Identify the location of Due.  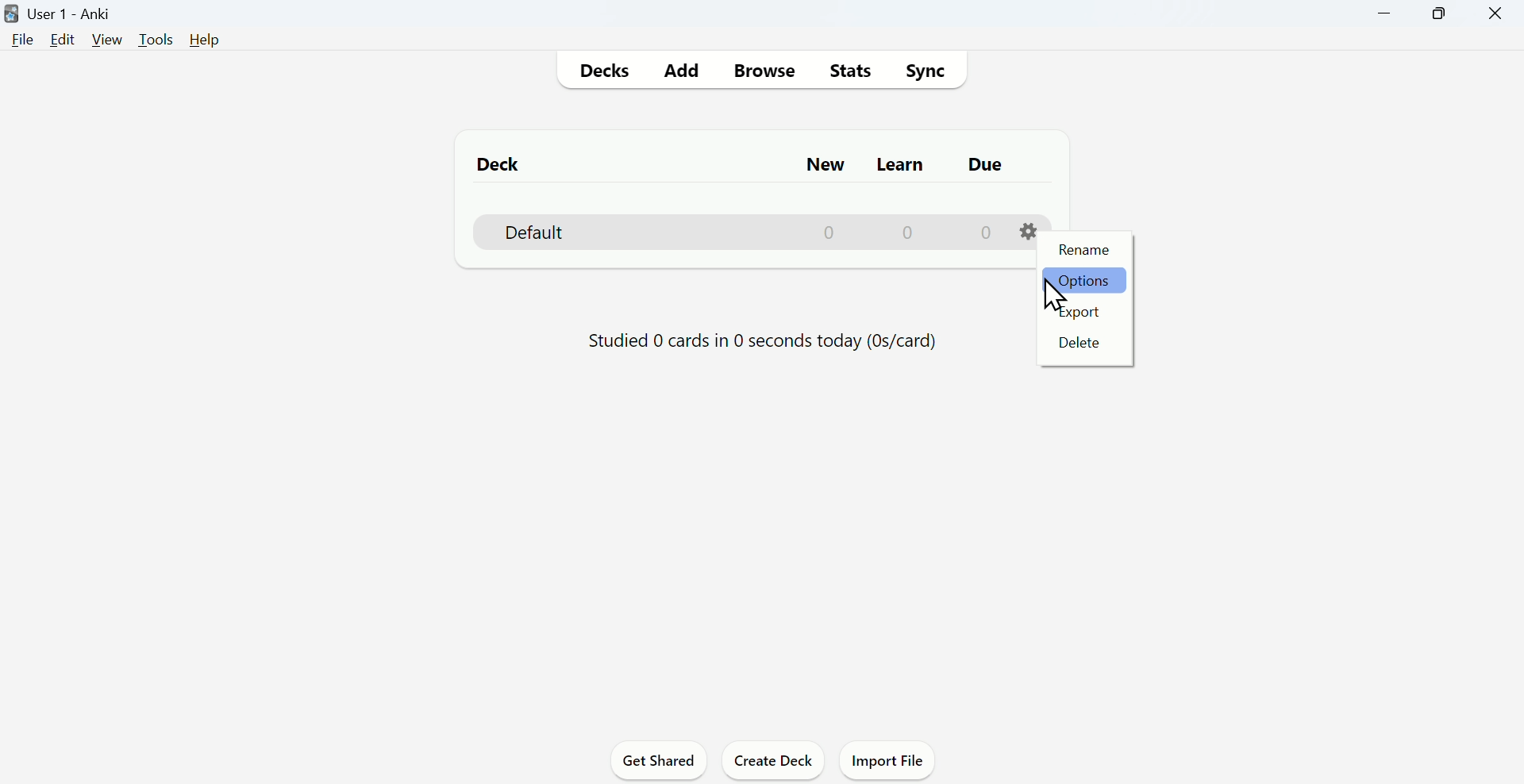
(989, 167).